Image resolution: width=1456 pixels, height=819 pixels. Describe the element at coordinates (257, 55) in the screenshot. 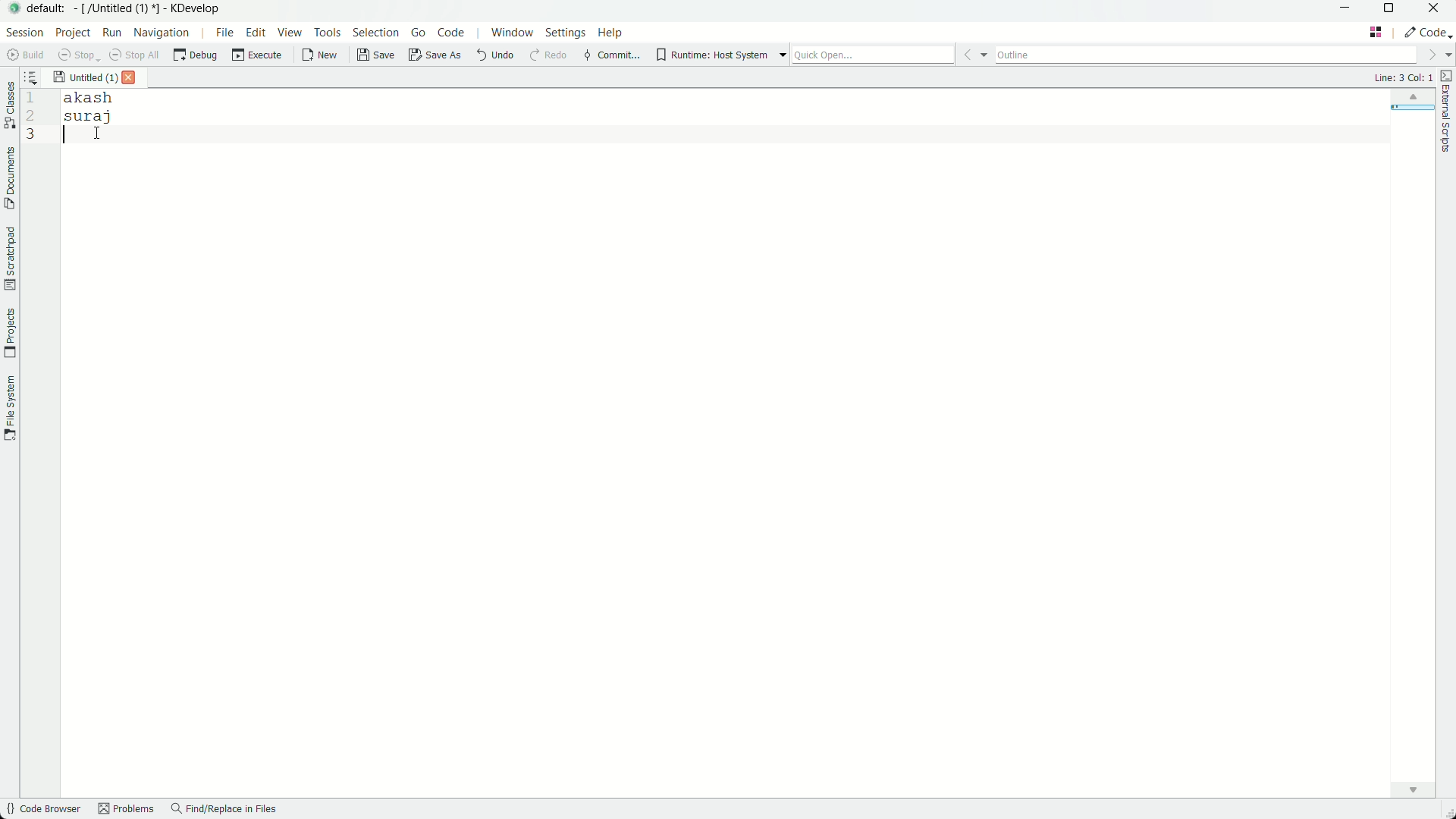

I see `execute` at that location.